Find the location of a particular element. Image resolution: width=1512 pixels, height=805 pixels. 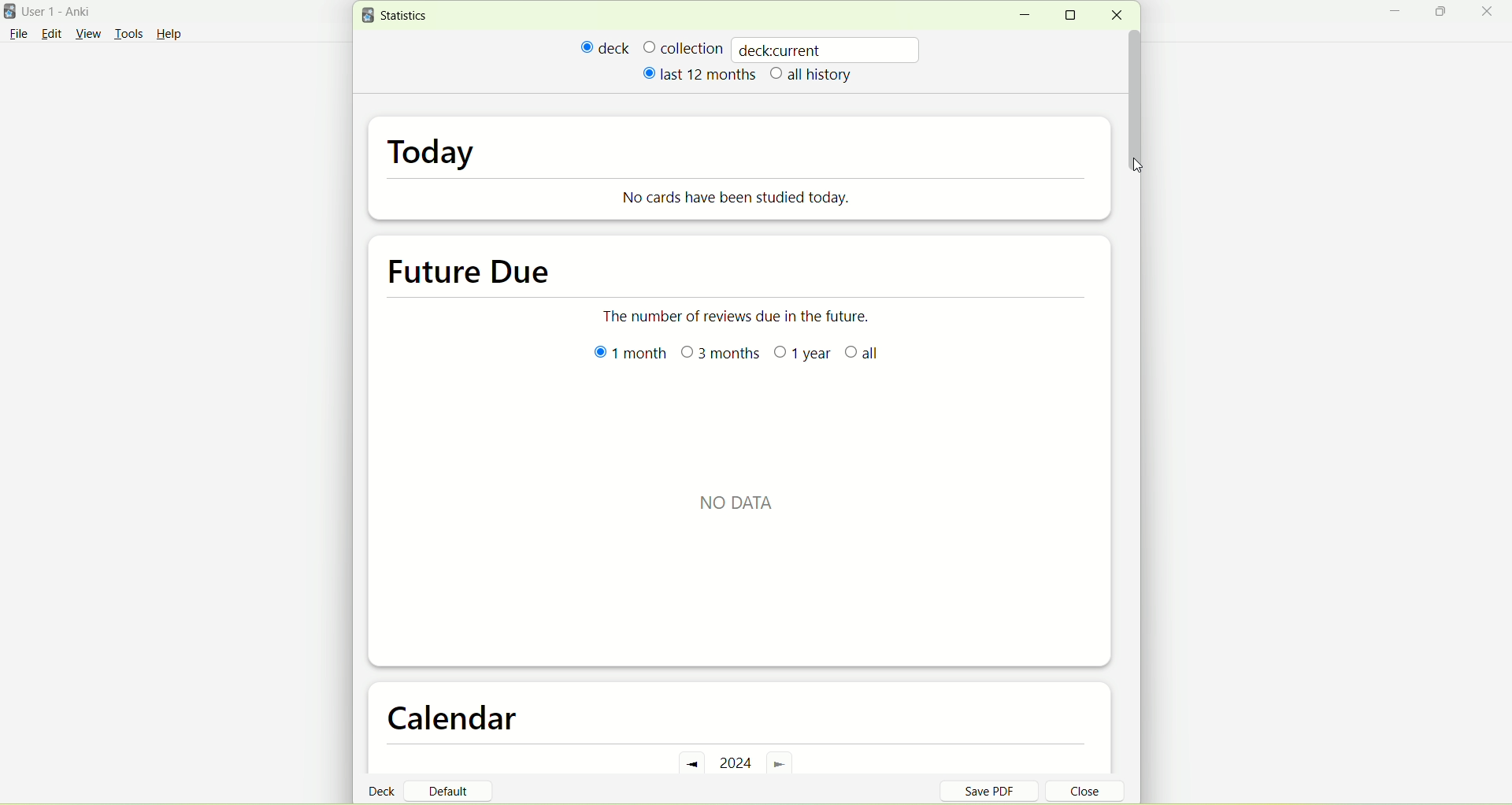

1 month is located at coordinates (630, 358).